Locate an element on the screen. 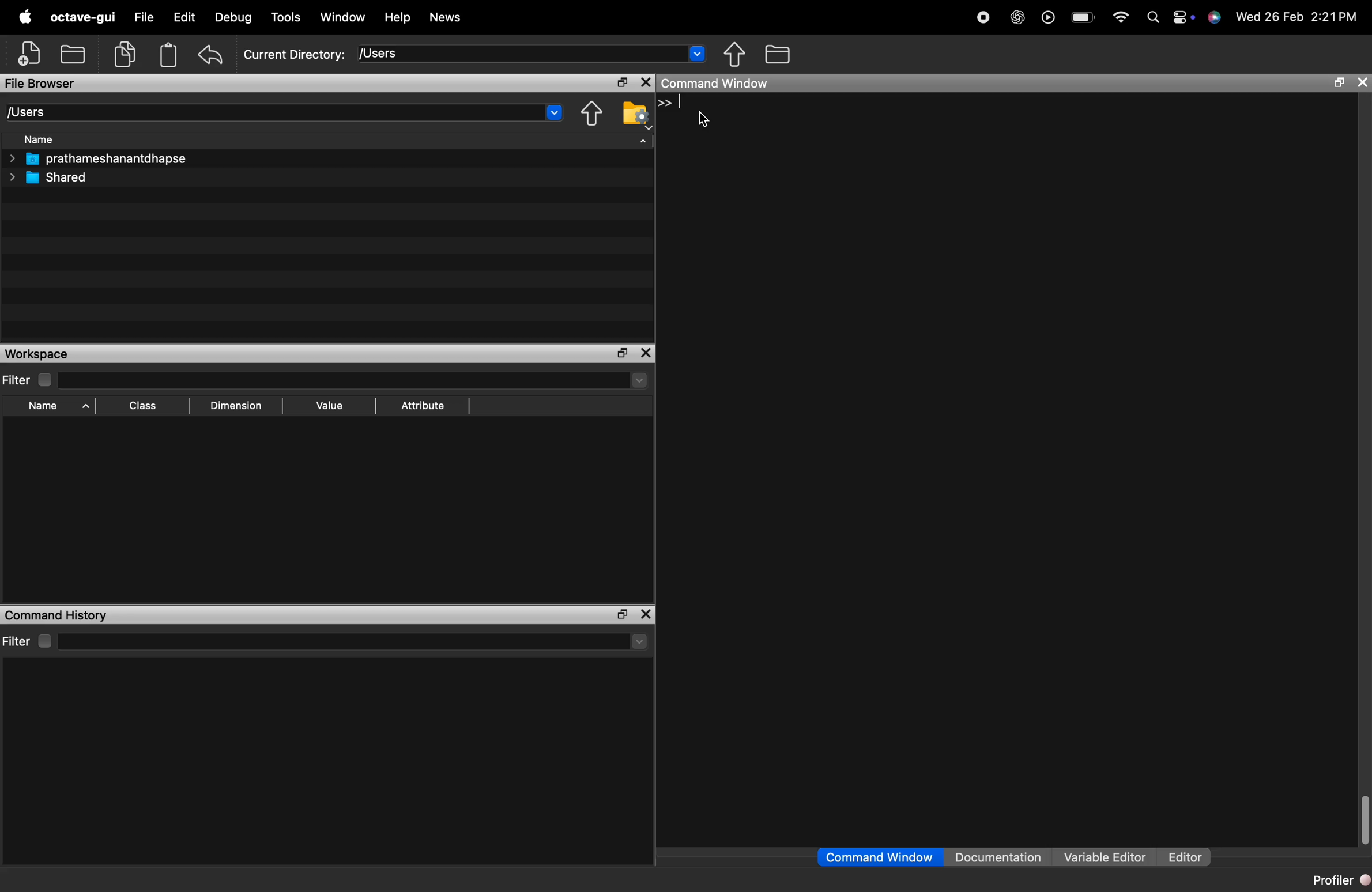 This screenshot has height=892, width=1372. logo is located at coordinates (22, 16).